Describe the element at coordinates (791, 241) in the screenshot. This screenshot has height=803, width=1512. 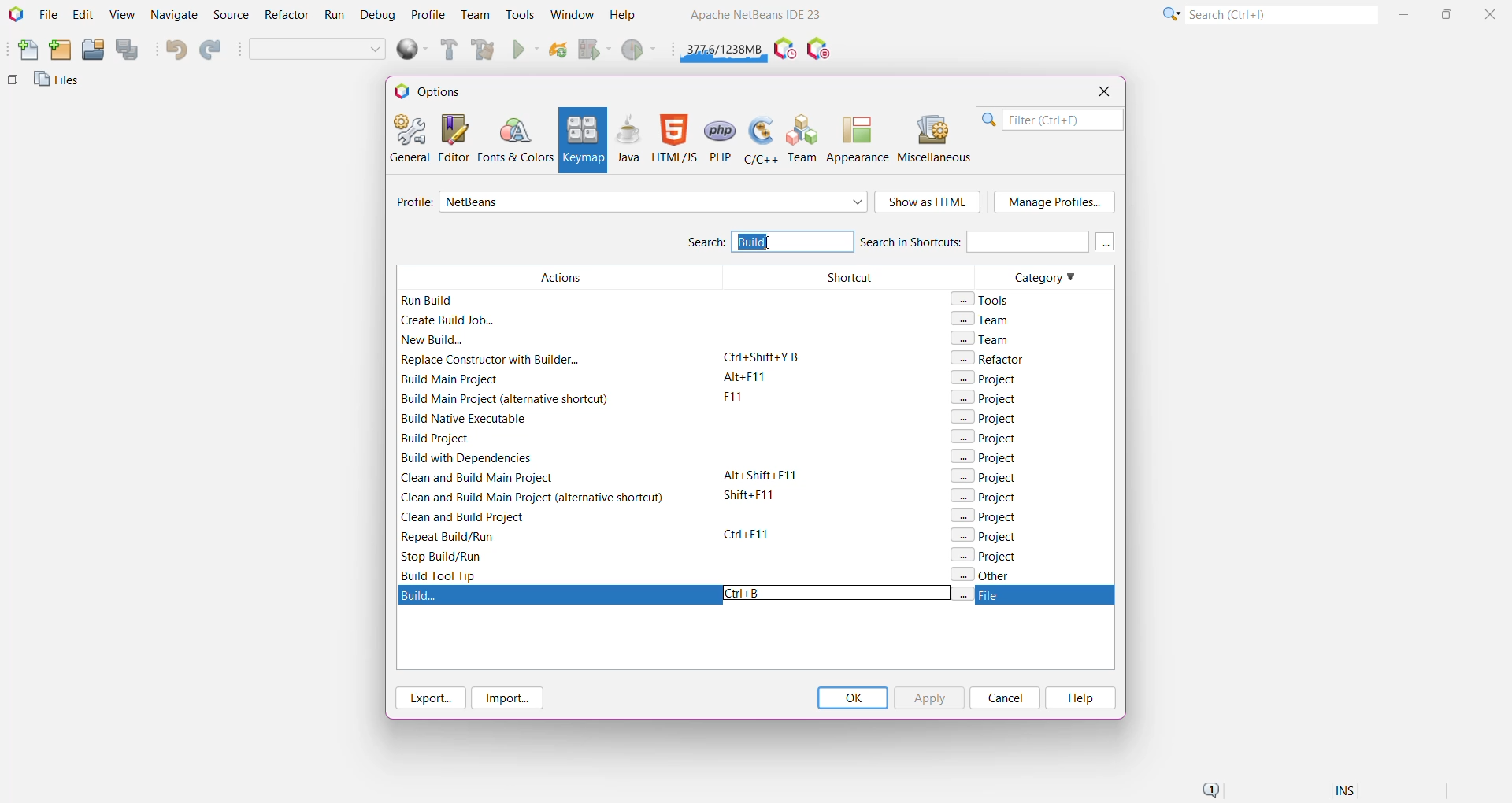
I see `Select All and clear the typed word to search new Action` at that location.